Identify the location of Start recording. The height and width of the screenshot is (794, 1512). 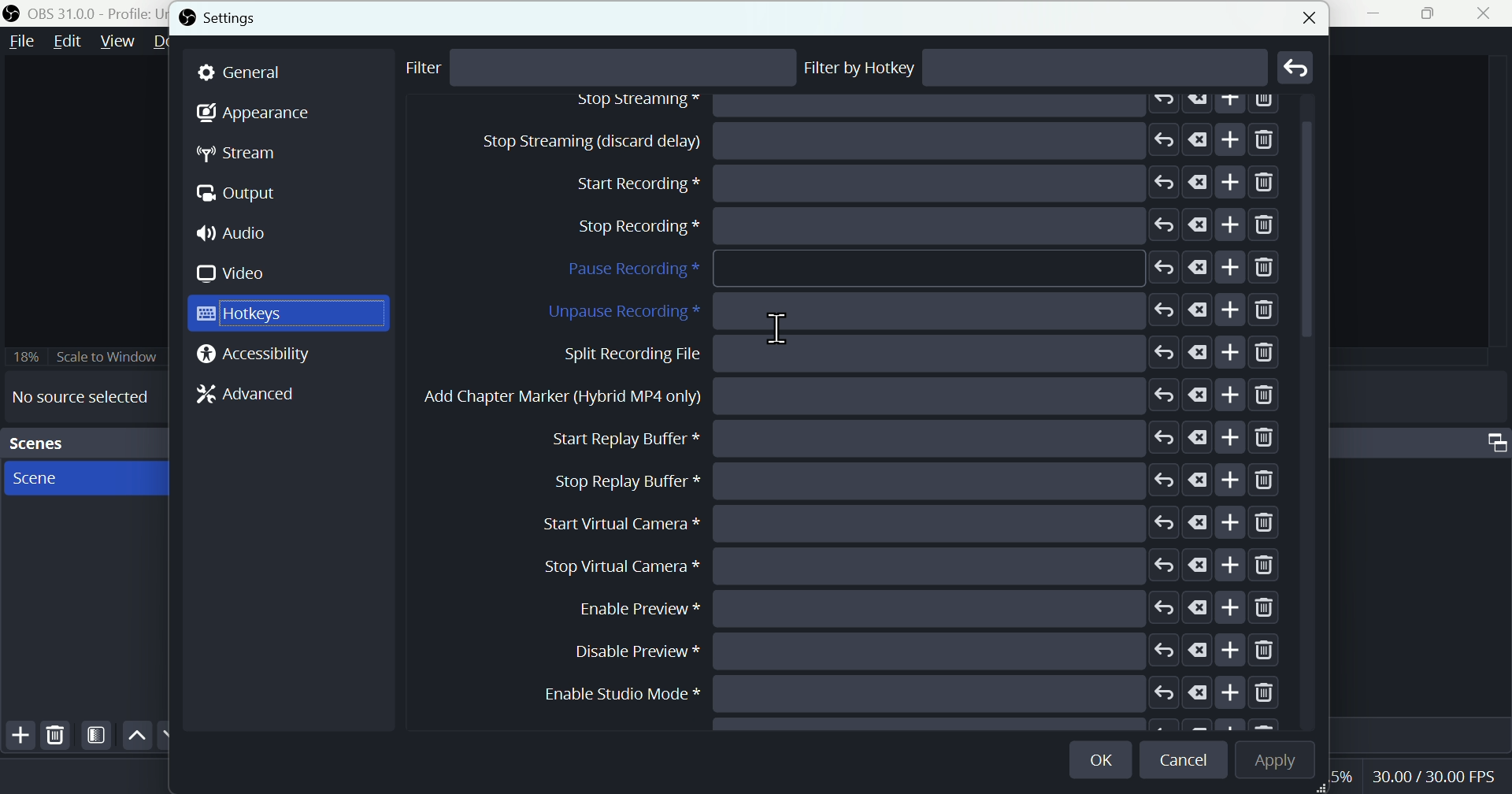
(880, 180).